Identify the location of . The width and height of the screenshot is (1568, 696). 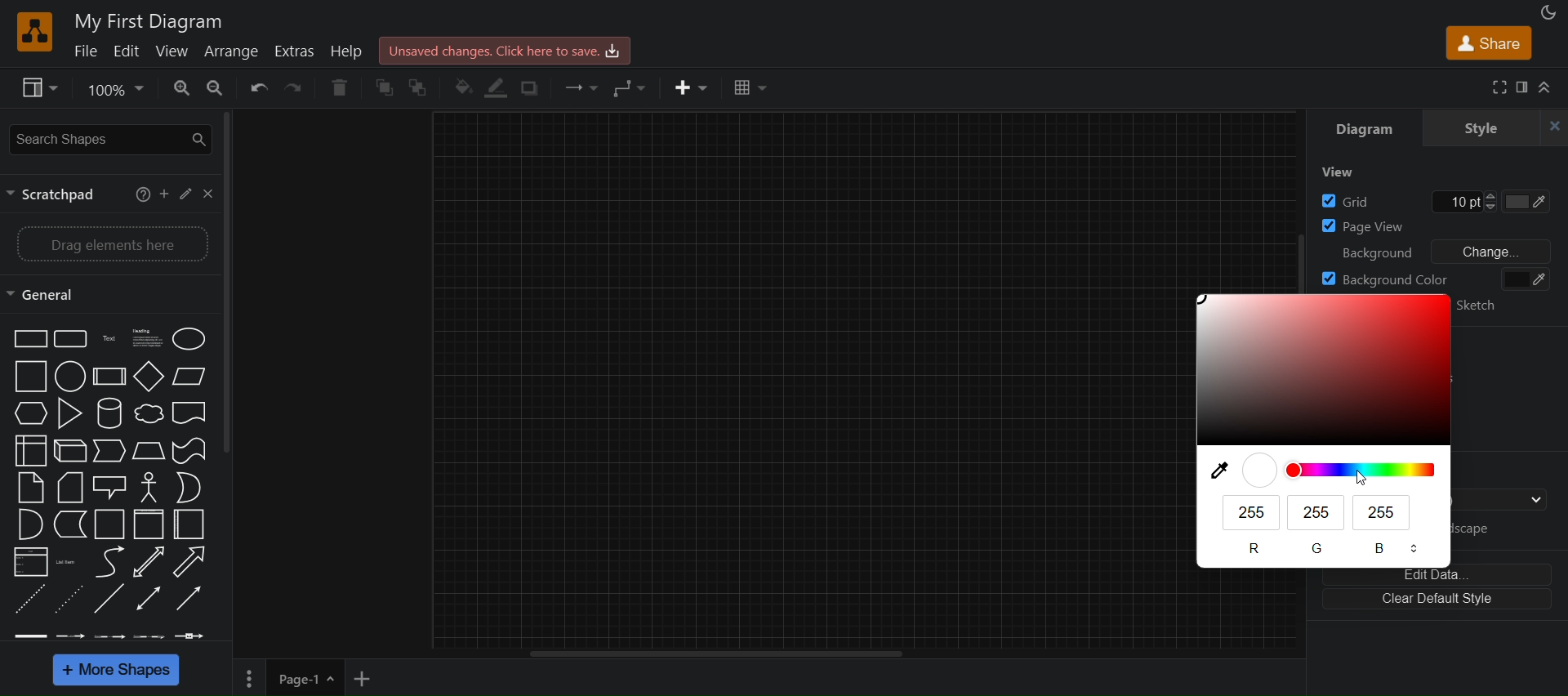
(347, 53).